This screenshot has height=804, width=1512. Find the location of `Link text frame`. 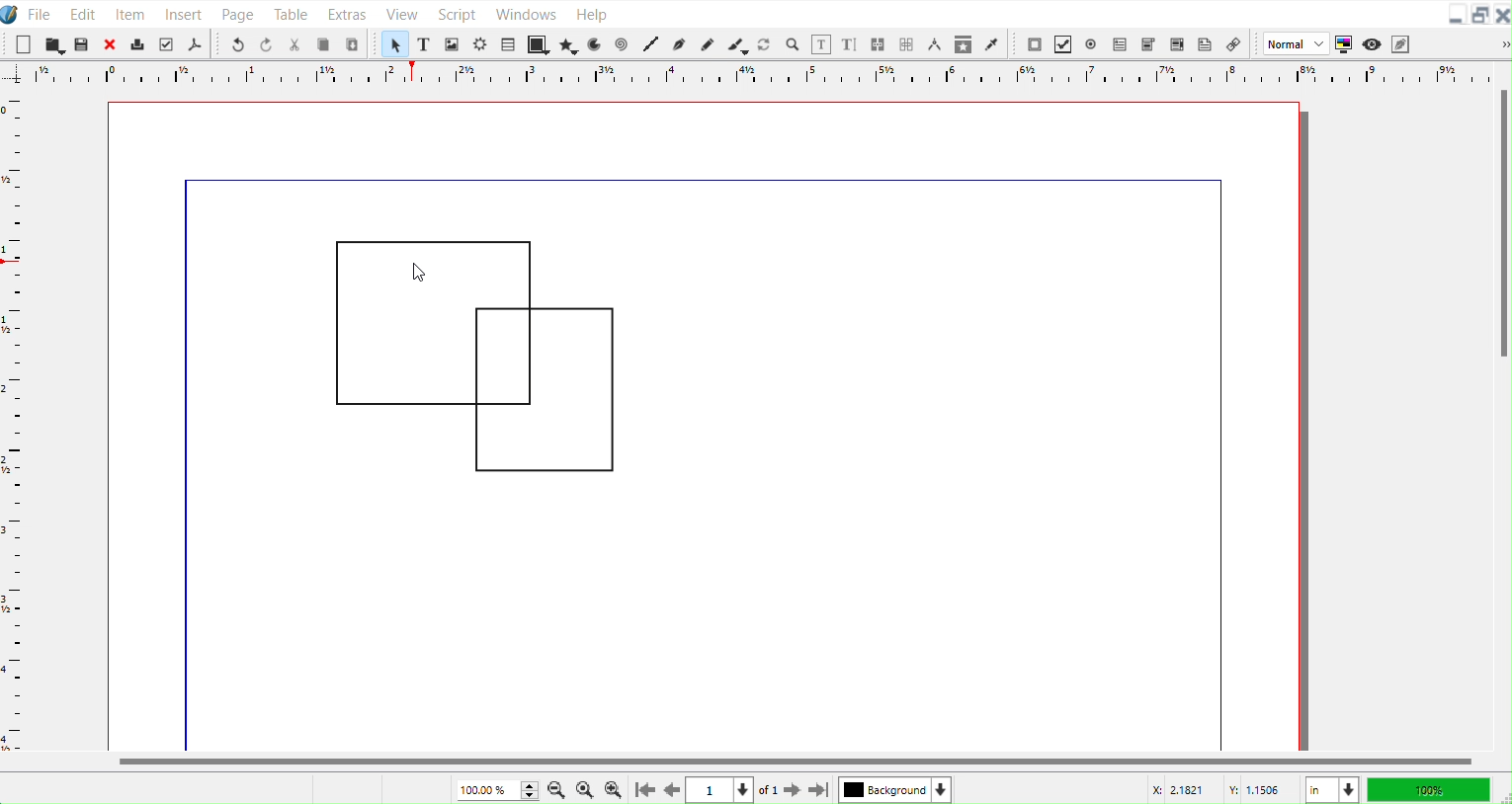

Link text frame is located at coordinates (880, 44).